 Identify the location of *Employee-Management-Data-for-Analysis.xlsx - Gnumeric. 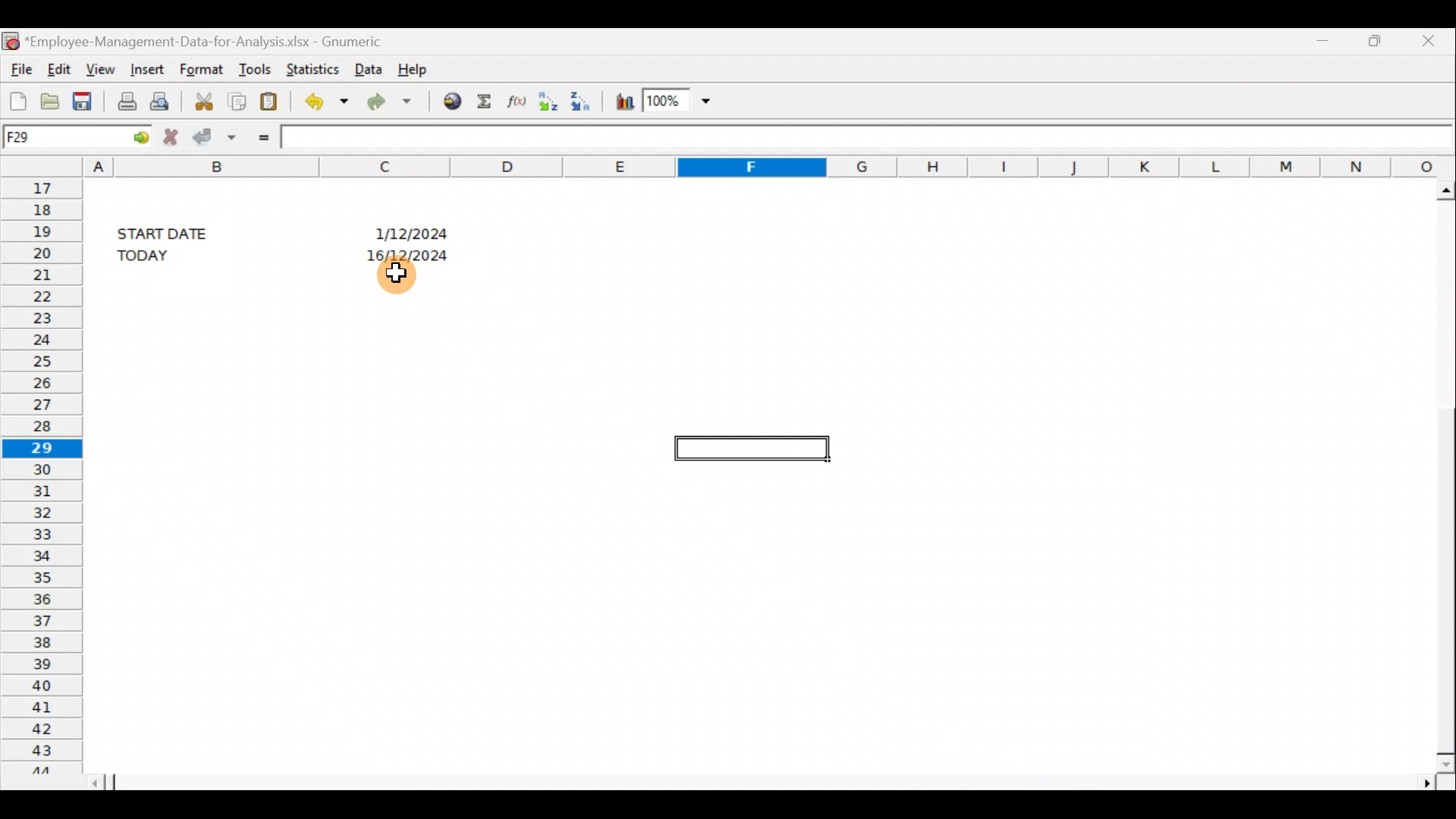
(206, 42).